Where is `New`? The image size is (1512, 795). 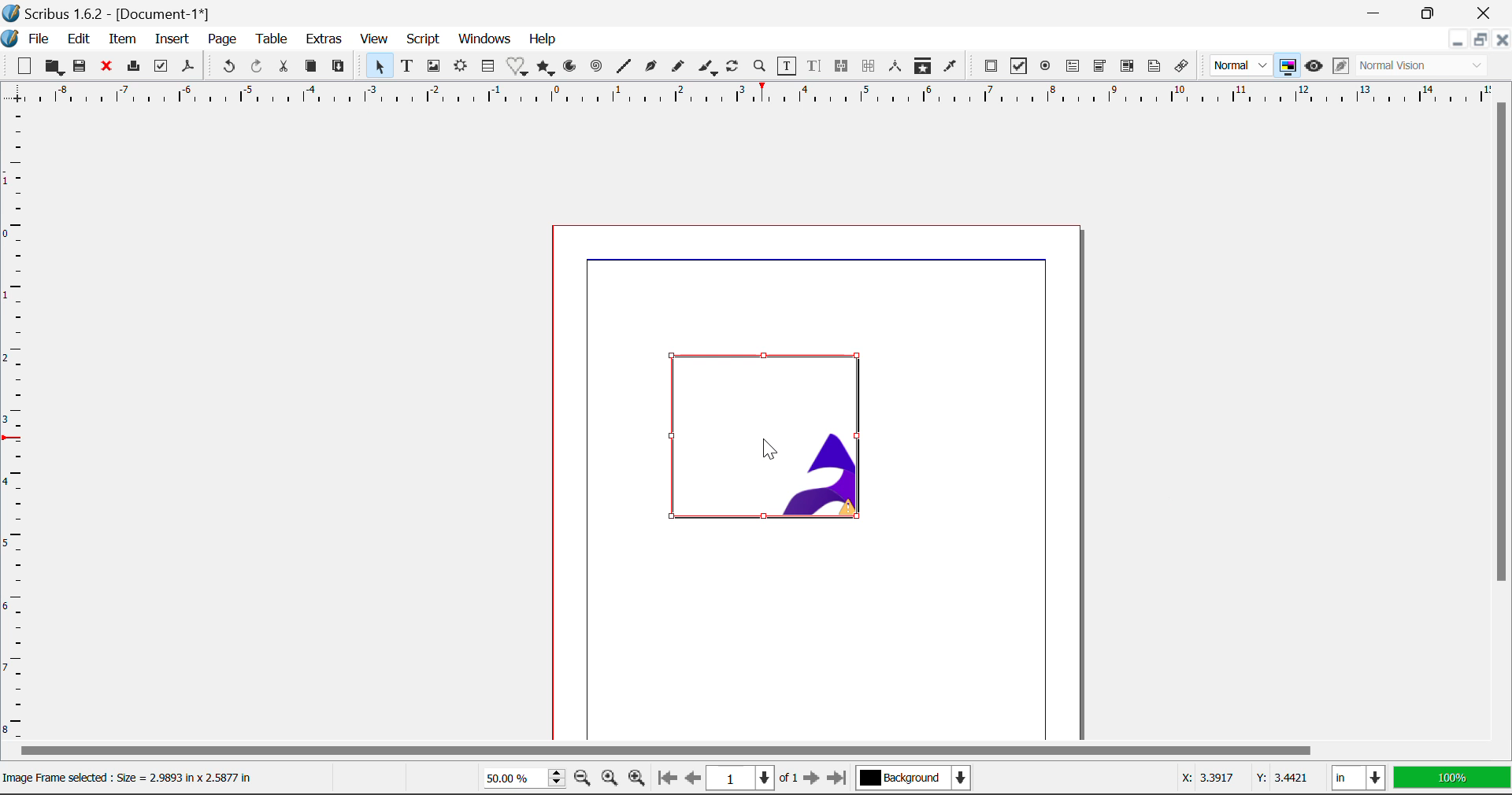 New is located at coordinates (24, 65).